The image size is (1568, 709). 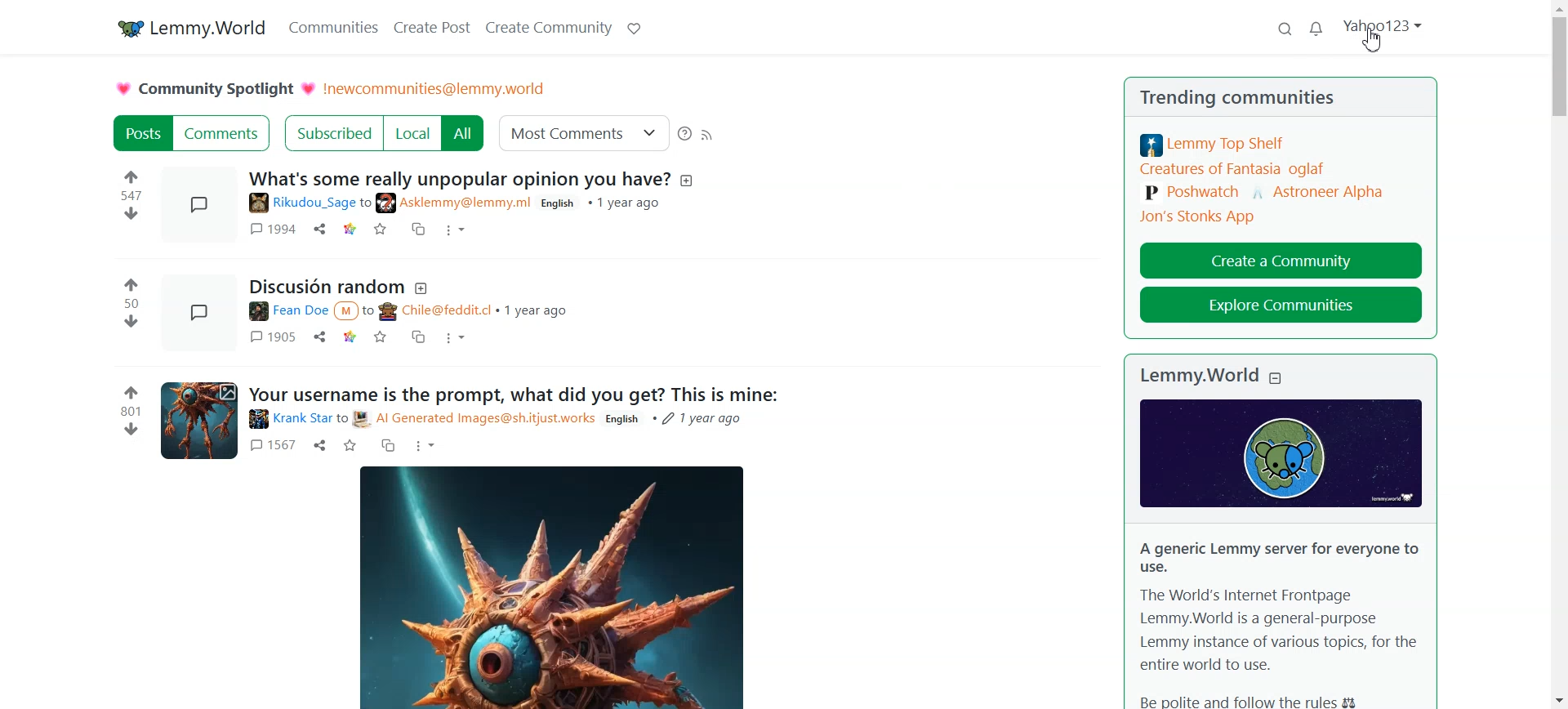 What do you see at coordinates (1281, 305) in the screenshot?
I see `Explore Communities` at bounding box center [1281, 305].